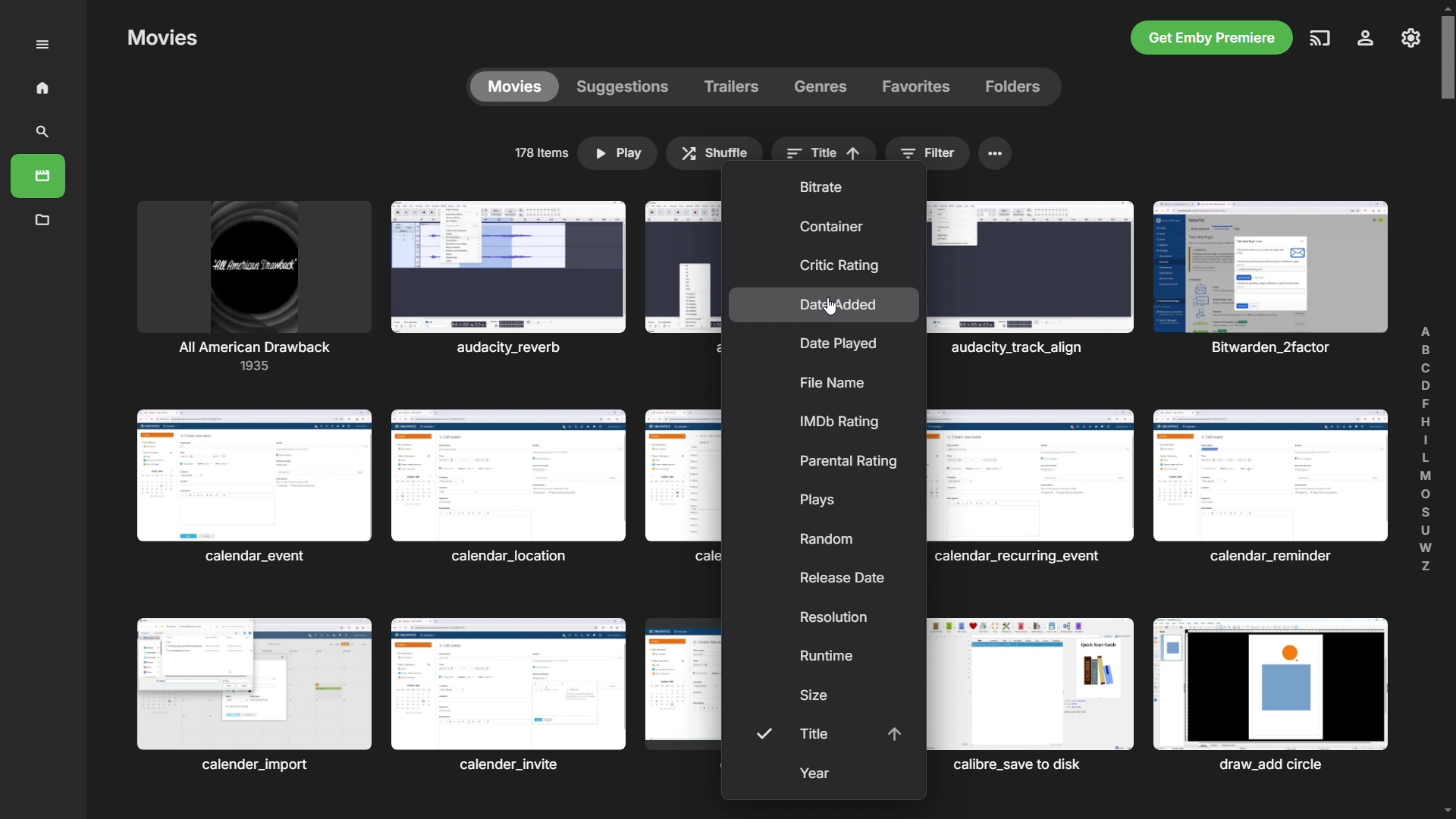 This screenshot has width=1456, height=819. What do you see at coordinates (42, 174) in the screenshot?
I see `movies` at bounding box center [42, 174].